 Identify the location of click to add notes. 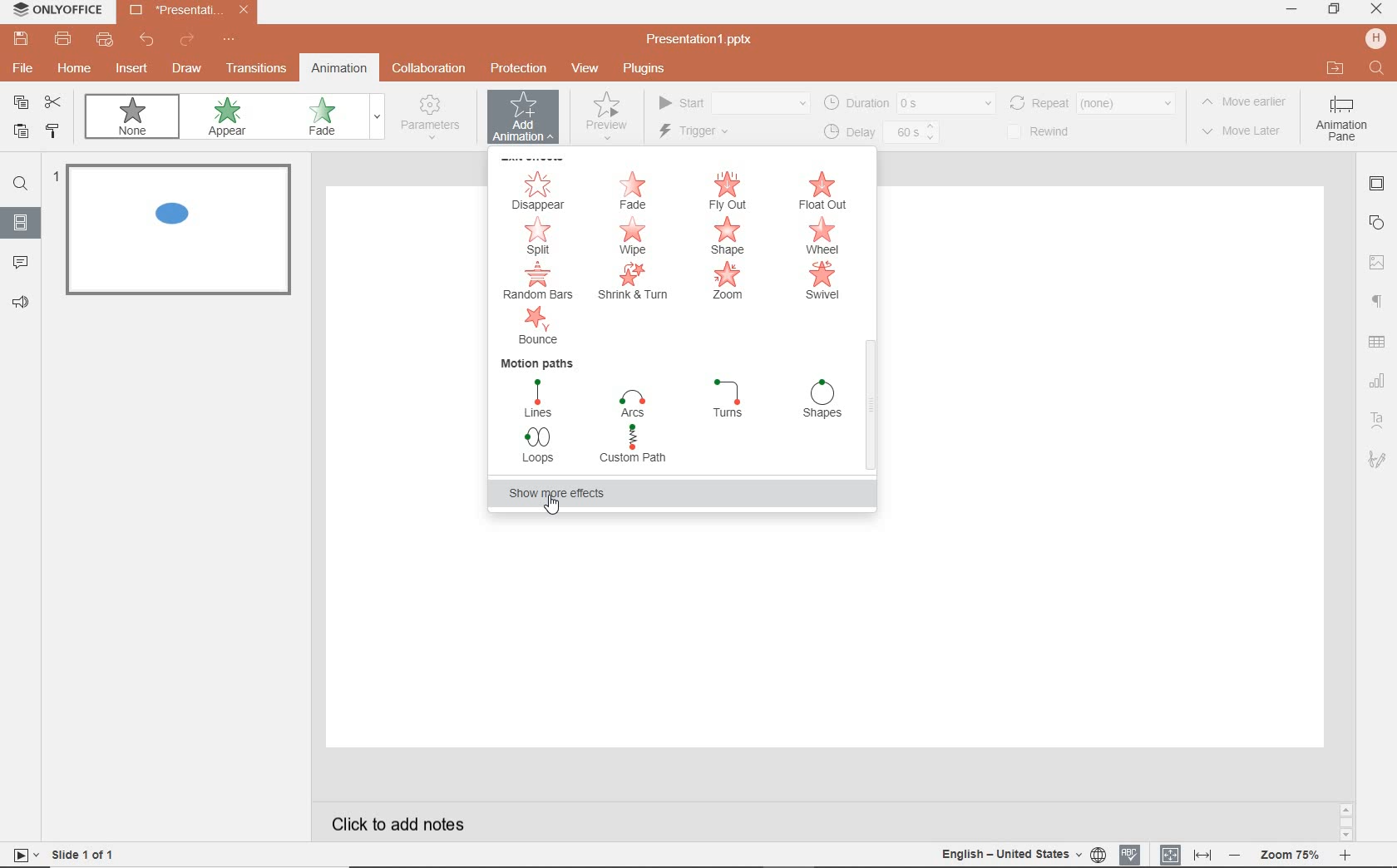
(402, 819).